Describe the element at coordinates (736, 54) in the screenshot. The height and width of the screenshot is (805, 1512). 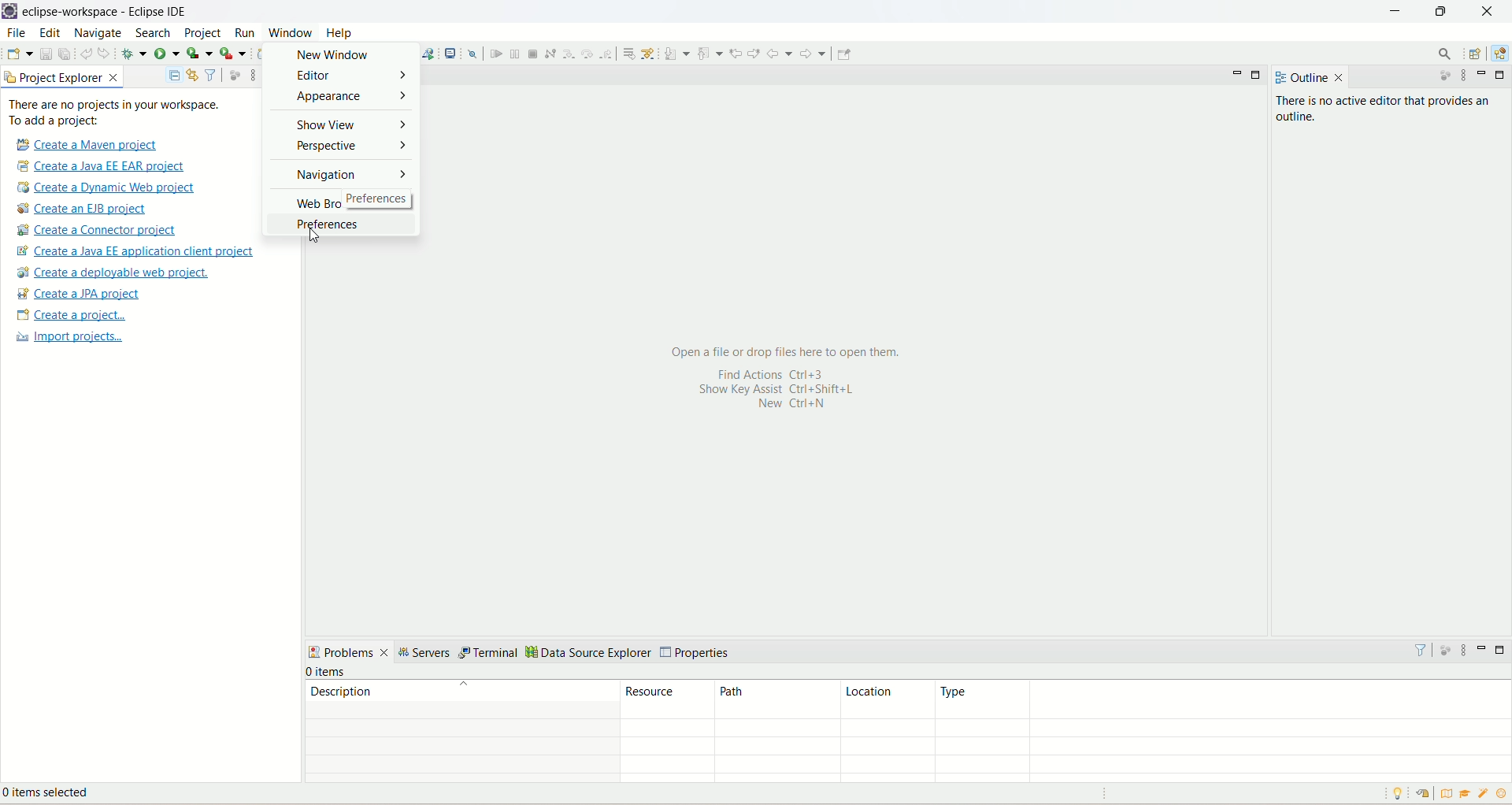
I see `previous edit location` at that location.